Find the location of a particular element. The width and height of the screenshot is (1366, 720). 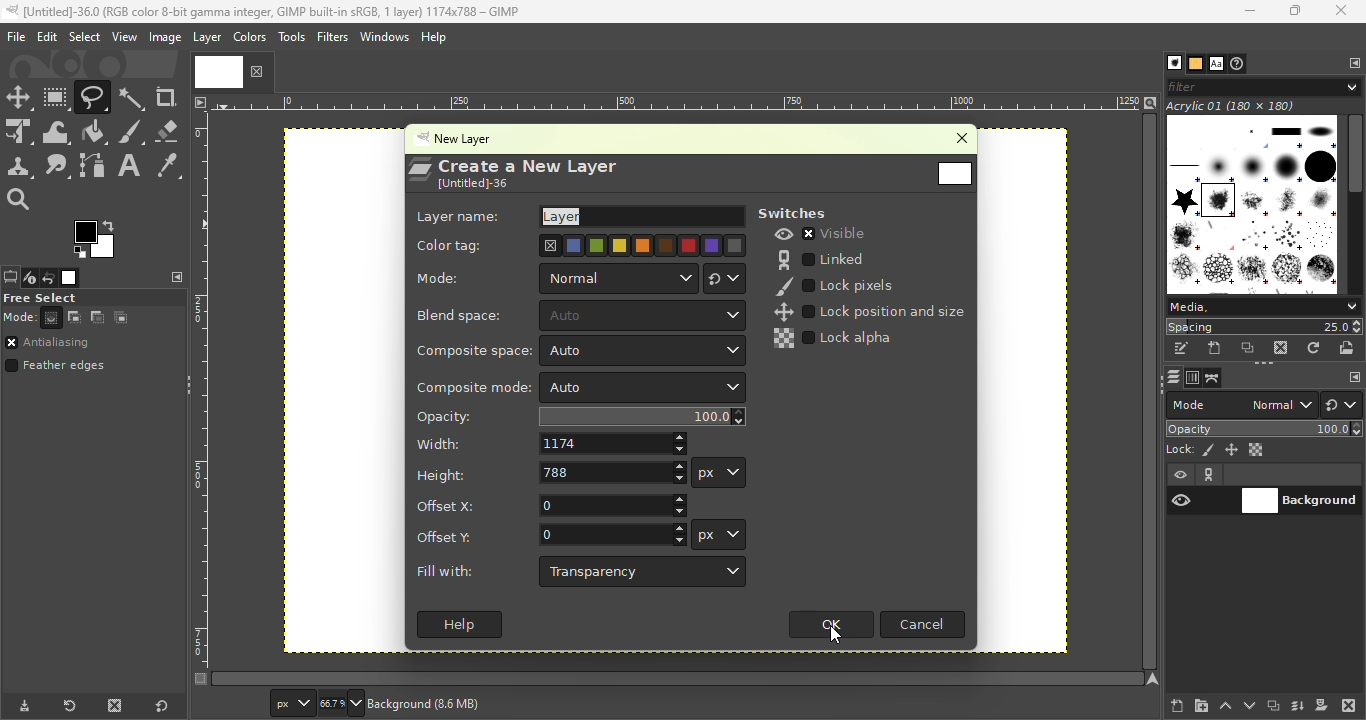

Rectangle select tool is located at coordinates (57, 97).